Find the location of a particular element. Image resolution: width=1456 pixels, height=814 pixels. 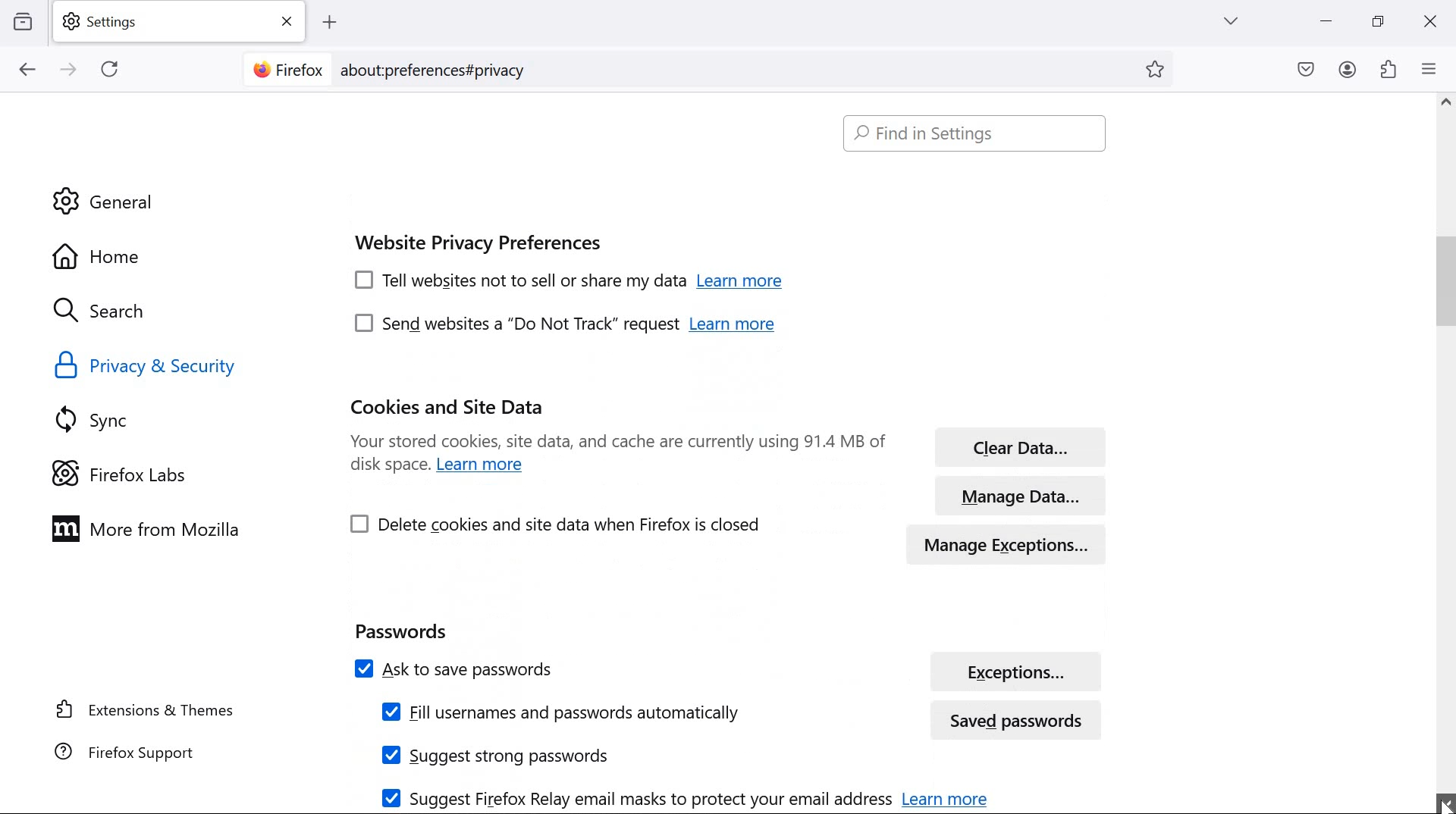

about:preferences#privacy is located at coordinates (443, 69).